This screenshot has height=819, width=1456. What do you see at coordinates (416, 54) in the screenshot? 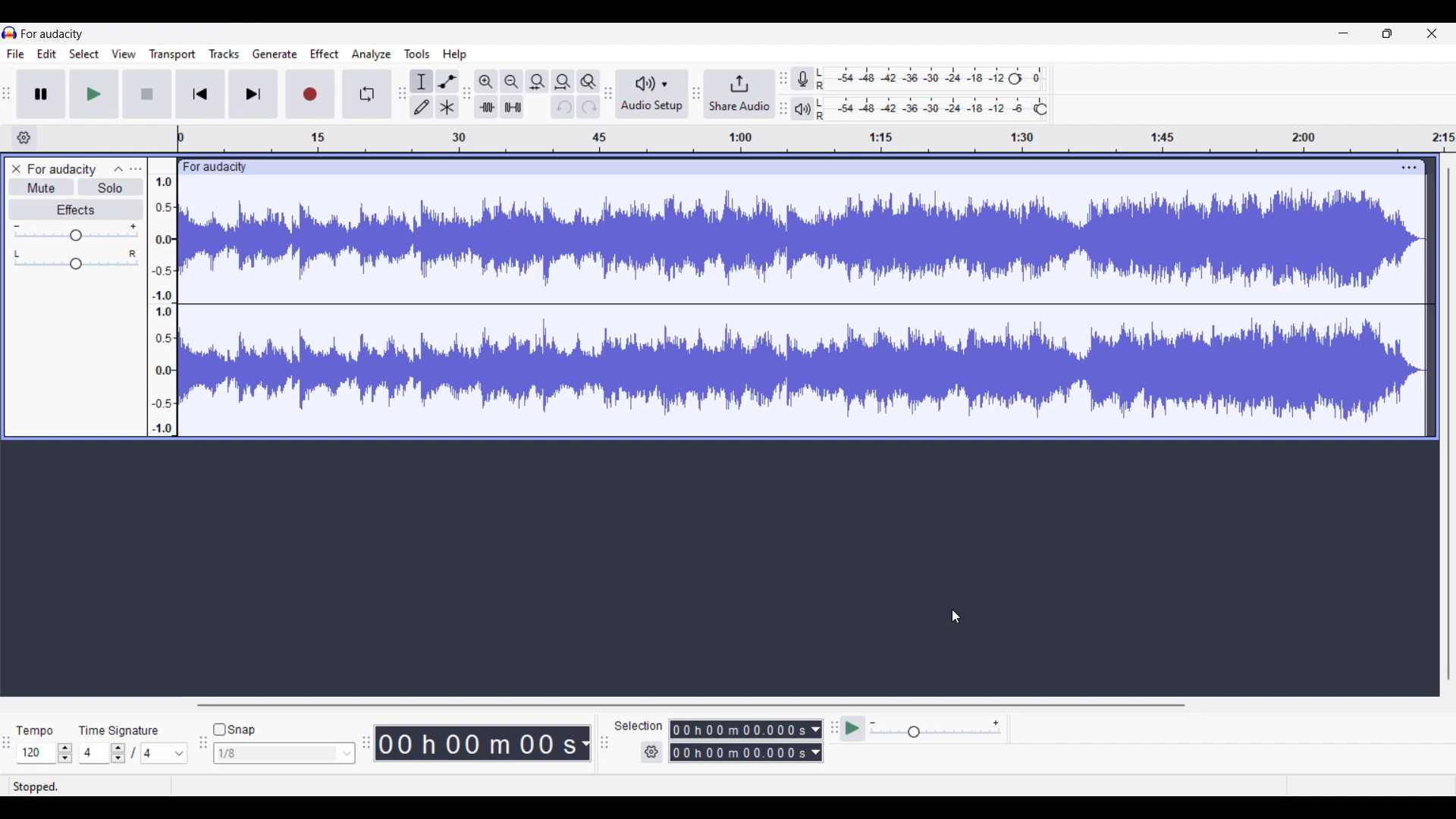
I see `Tools menu` at bounding box center [416, 54].